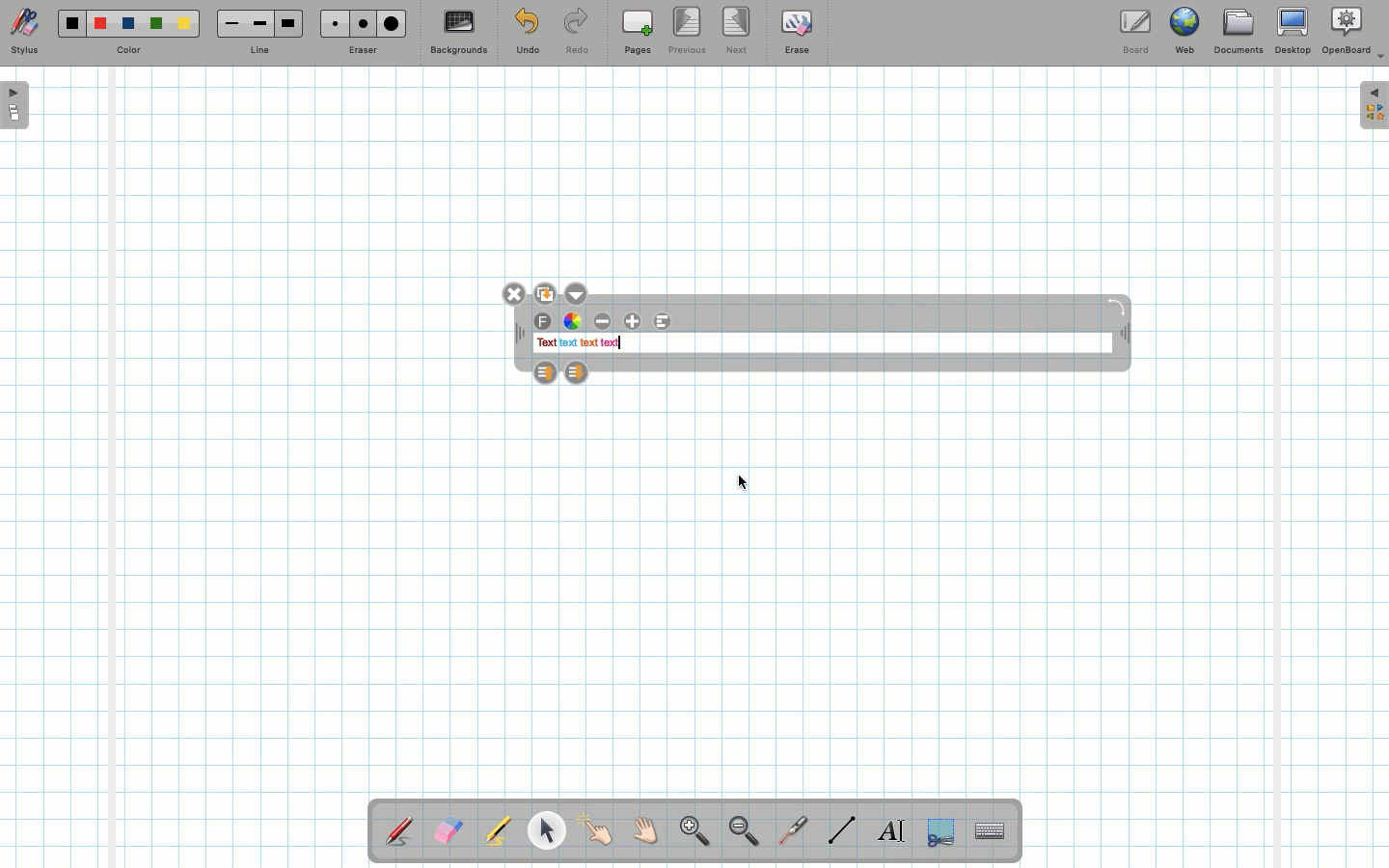 Image resolution: width=1389 pixels, height=868 pixels. What do you see at coordinates (448, 832) in the screenshot?
I see `Eraser` at bounding box center [448, 832].